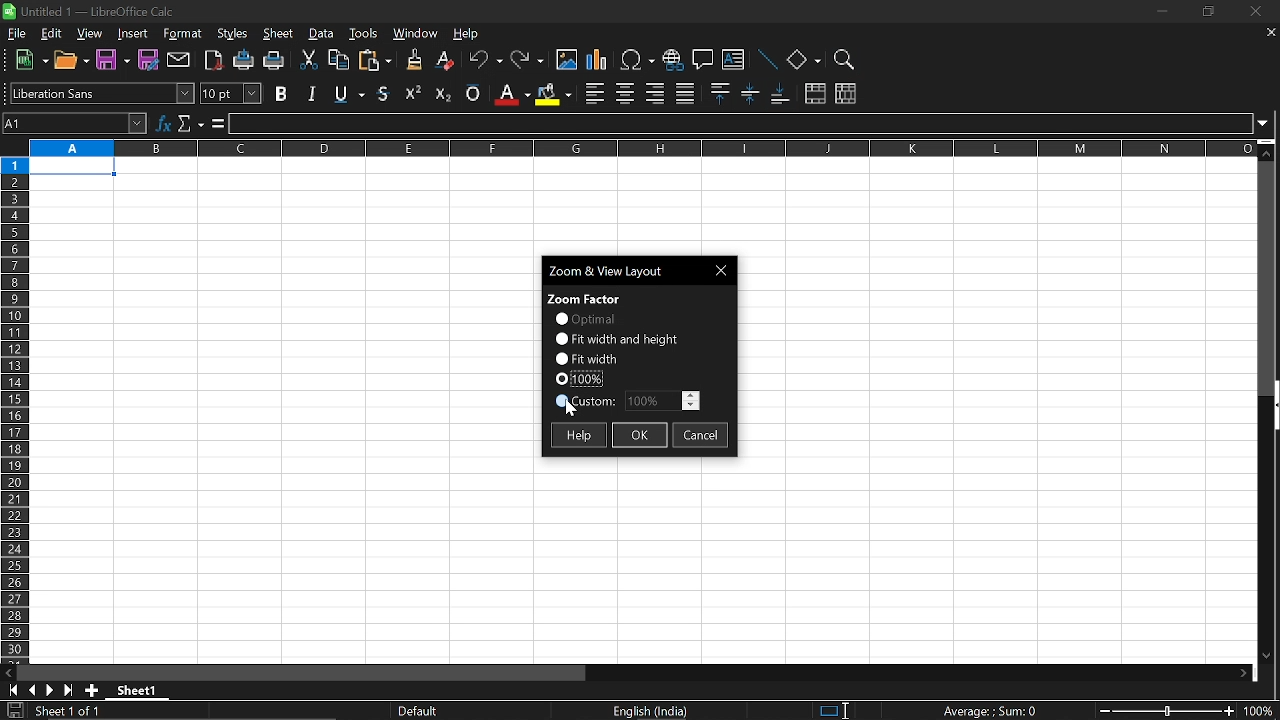 This screenshot has width=1280, height=720. I want to click on new, so click(32, 61).